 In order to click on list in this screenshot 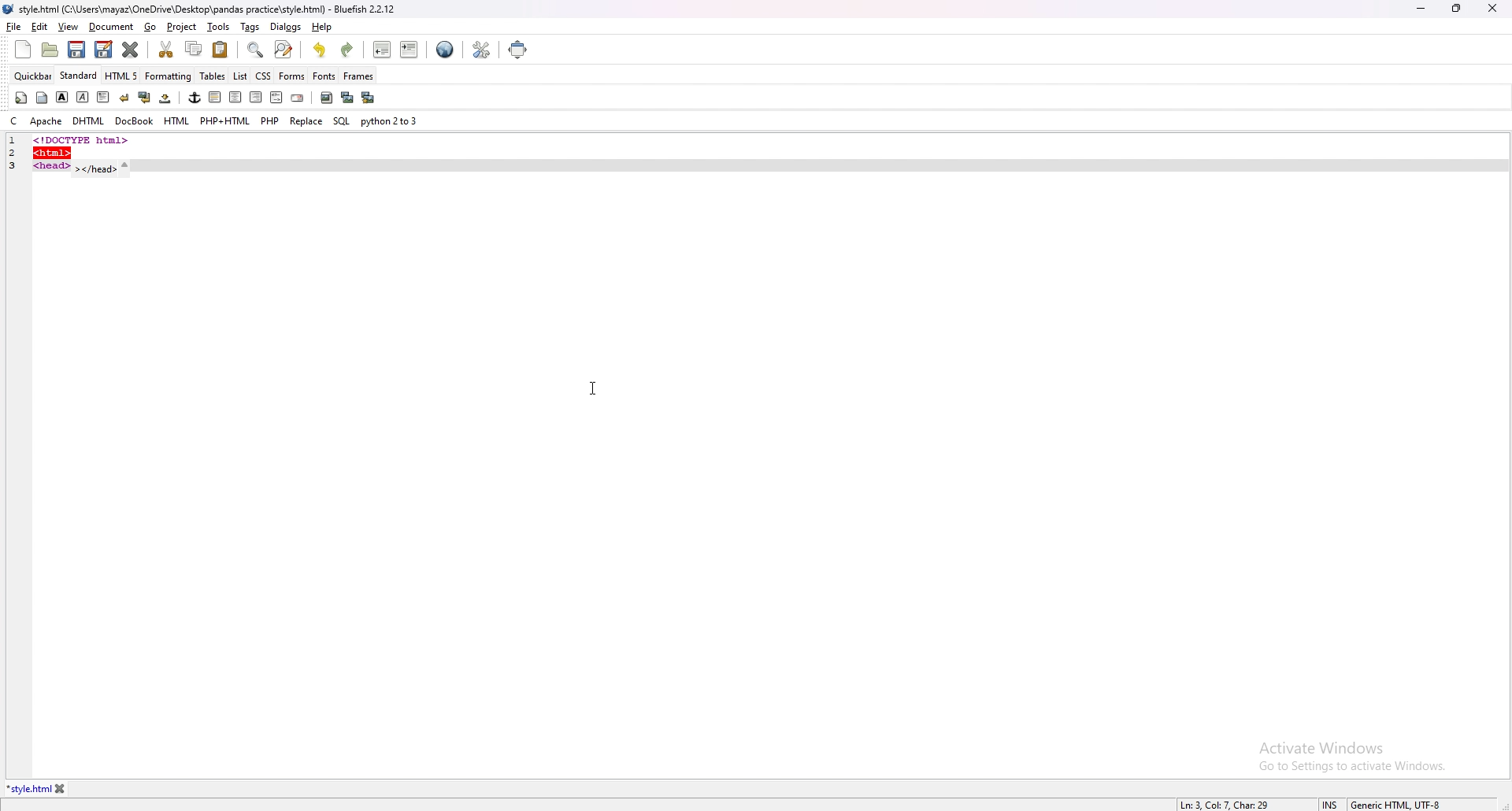, I will do `click(240, 75)`.